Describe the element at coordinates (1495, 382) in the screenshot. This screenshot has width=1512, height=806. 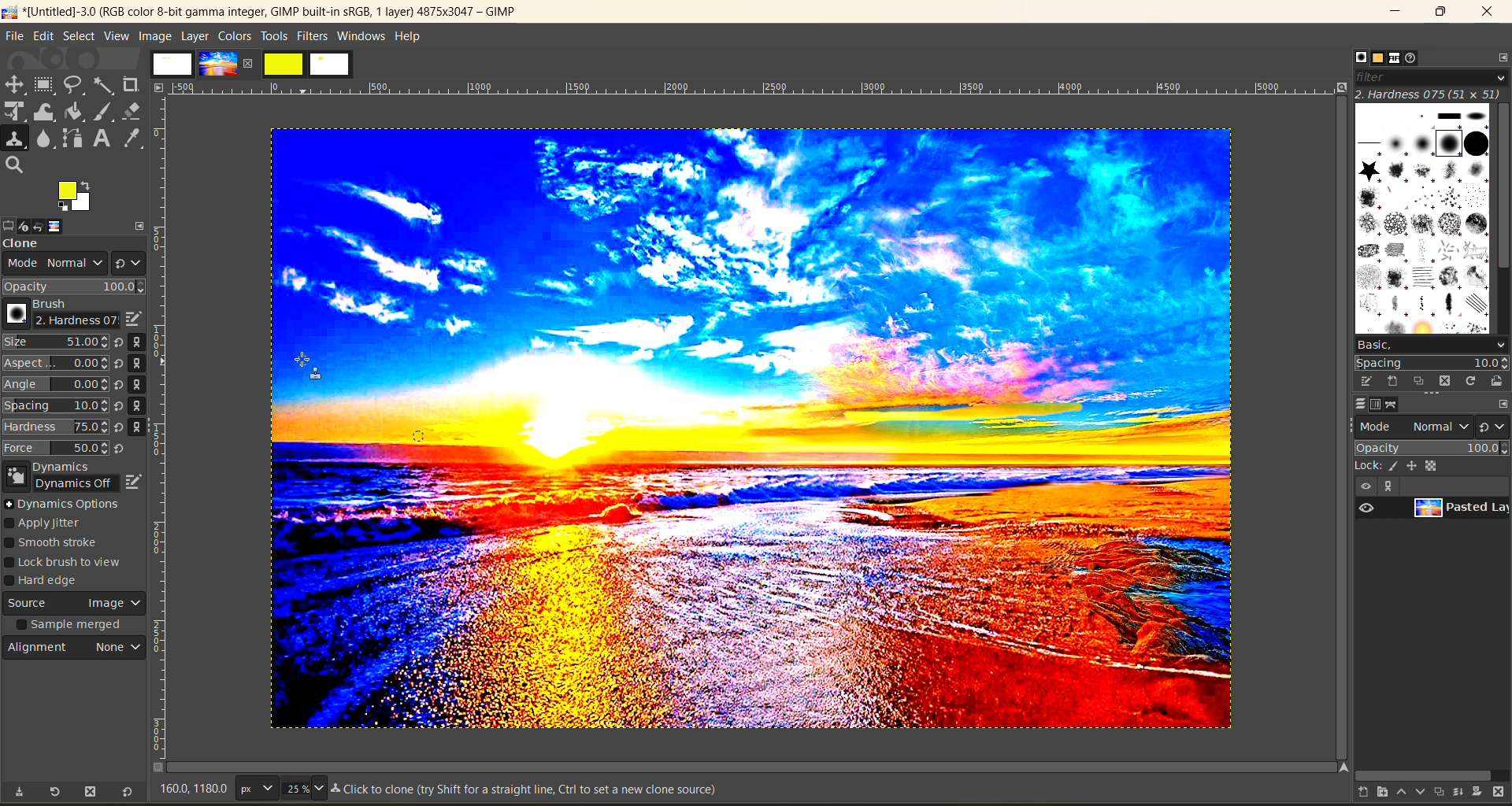
I see `open brush as image` at that location.